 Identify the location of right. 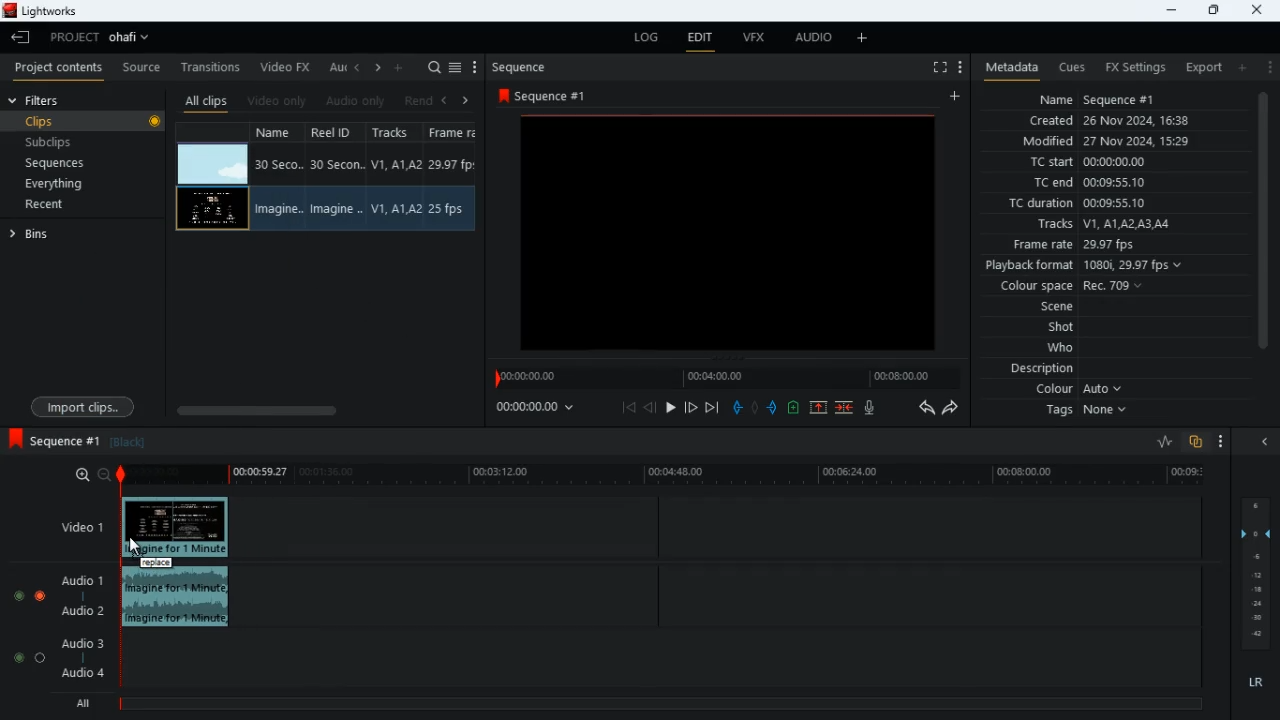
(378, 69).